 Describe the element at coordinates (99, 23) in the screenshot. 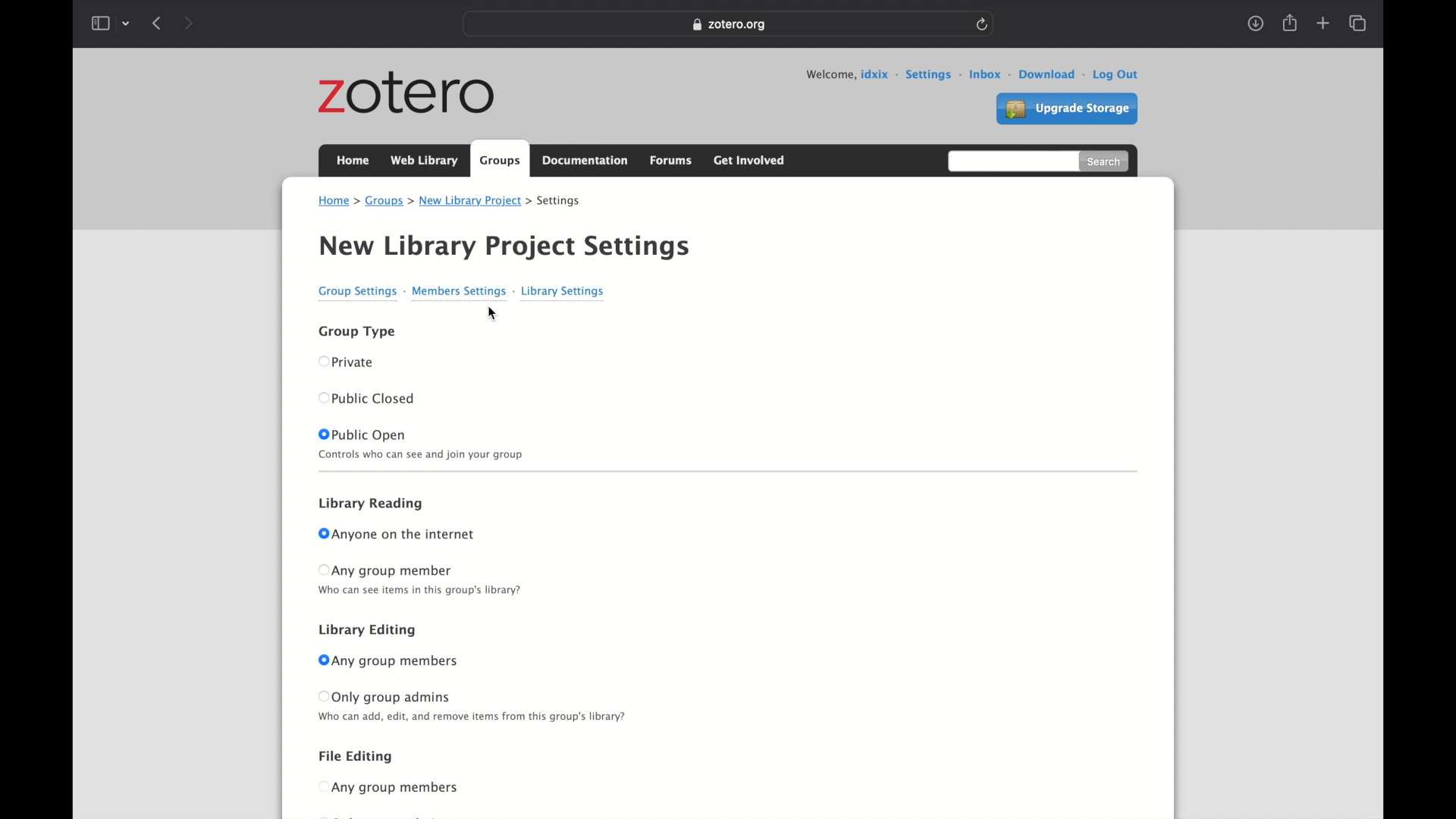

I see `show sidebar` at that location.